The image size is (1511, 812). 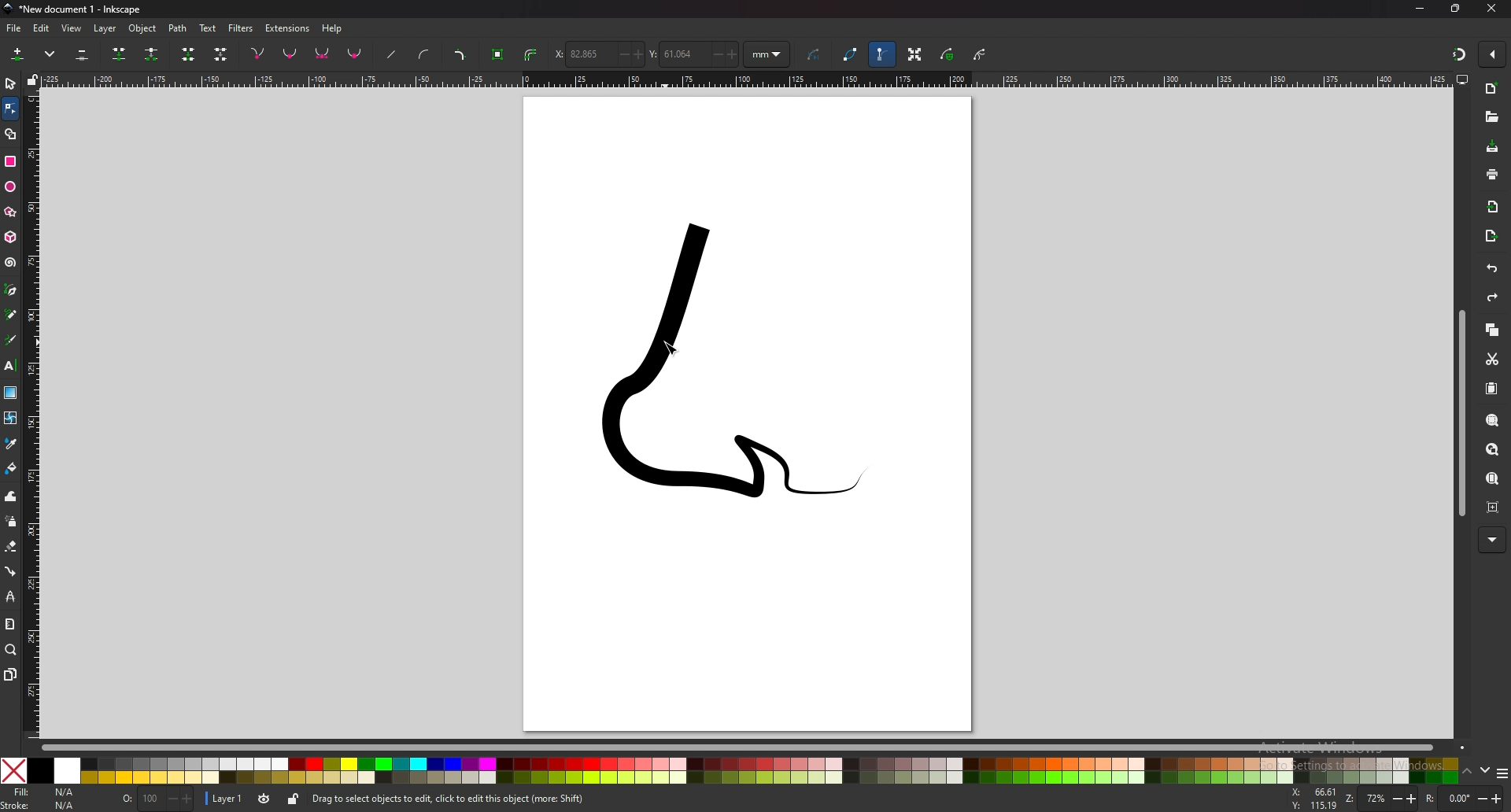 What do you see at coordinates (728, 771) in the screenshot?
I see `colors` at bounding box center [728, 771].